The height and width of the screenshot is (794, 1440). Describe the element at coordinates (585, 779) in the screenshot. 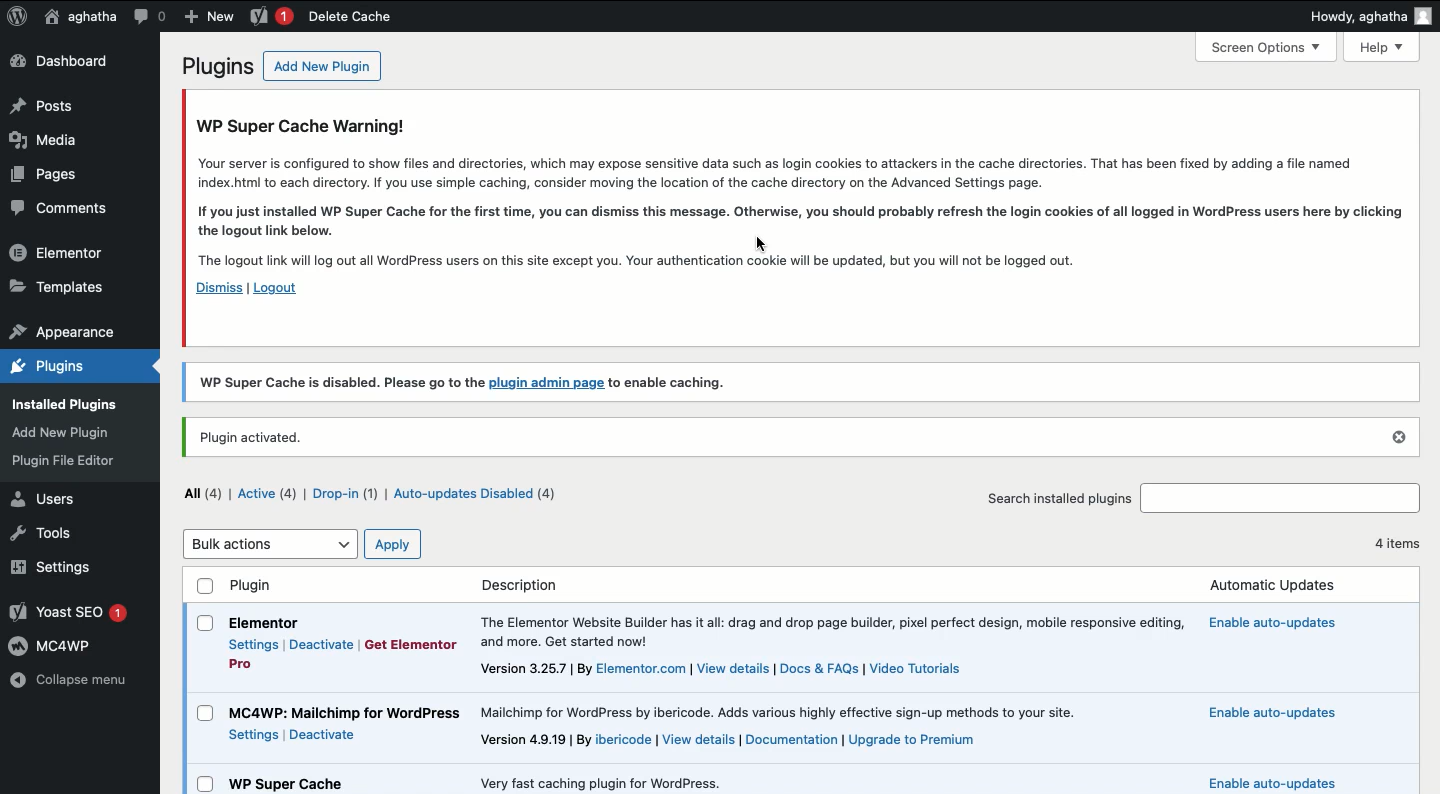

I see `Very fast caching plugin for WordPress.` at that location.